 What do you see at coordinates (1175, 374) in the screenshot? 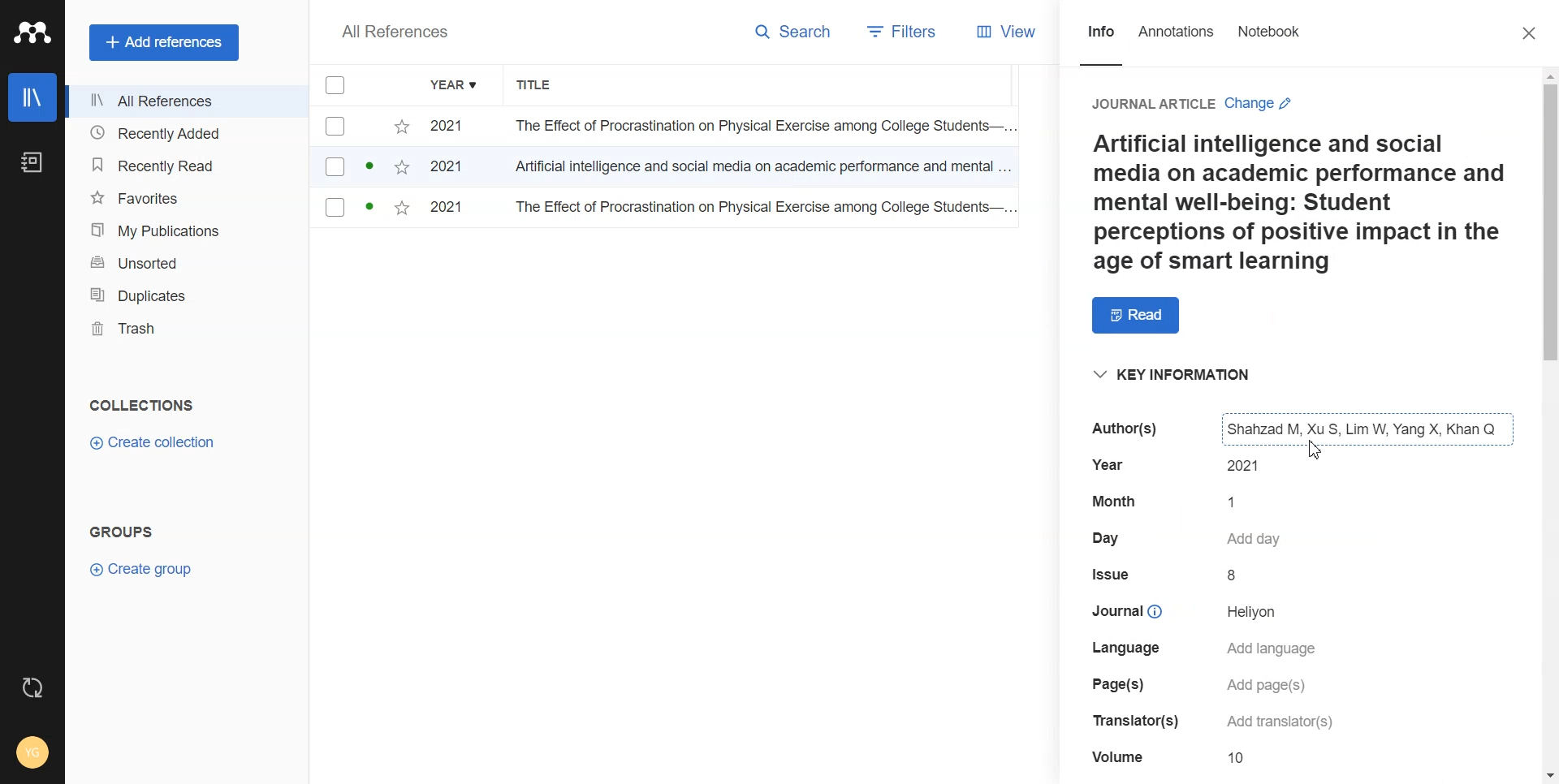
I see `Key information` at bounding box center [1175, 374].